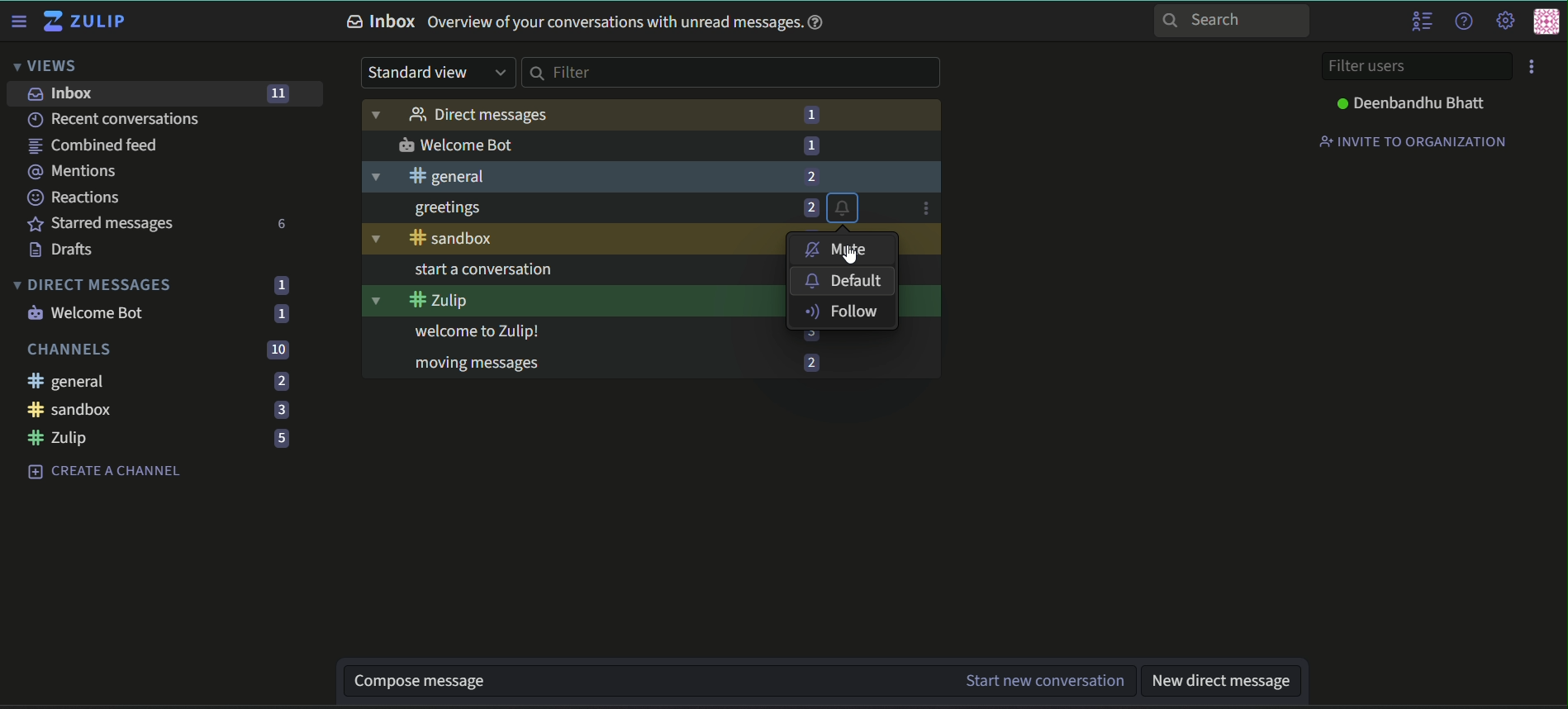 The image size is (1568, 709). What do you see at coordinates (925, 207) in the screenshot?
I see `options` at bounding box center [925, 207].